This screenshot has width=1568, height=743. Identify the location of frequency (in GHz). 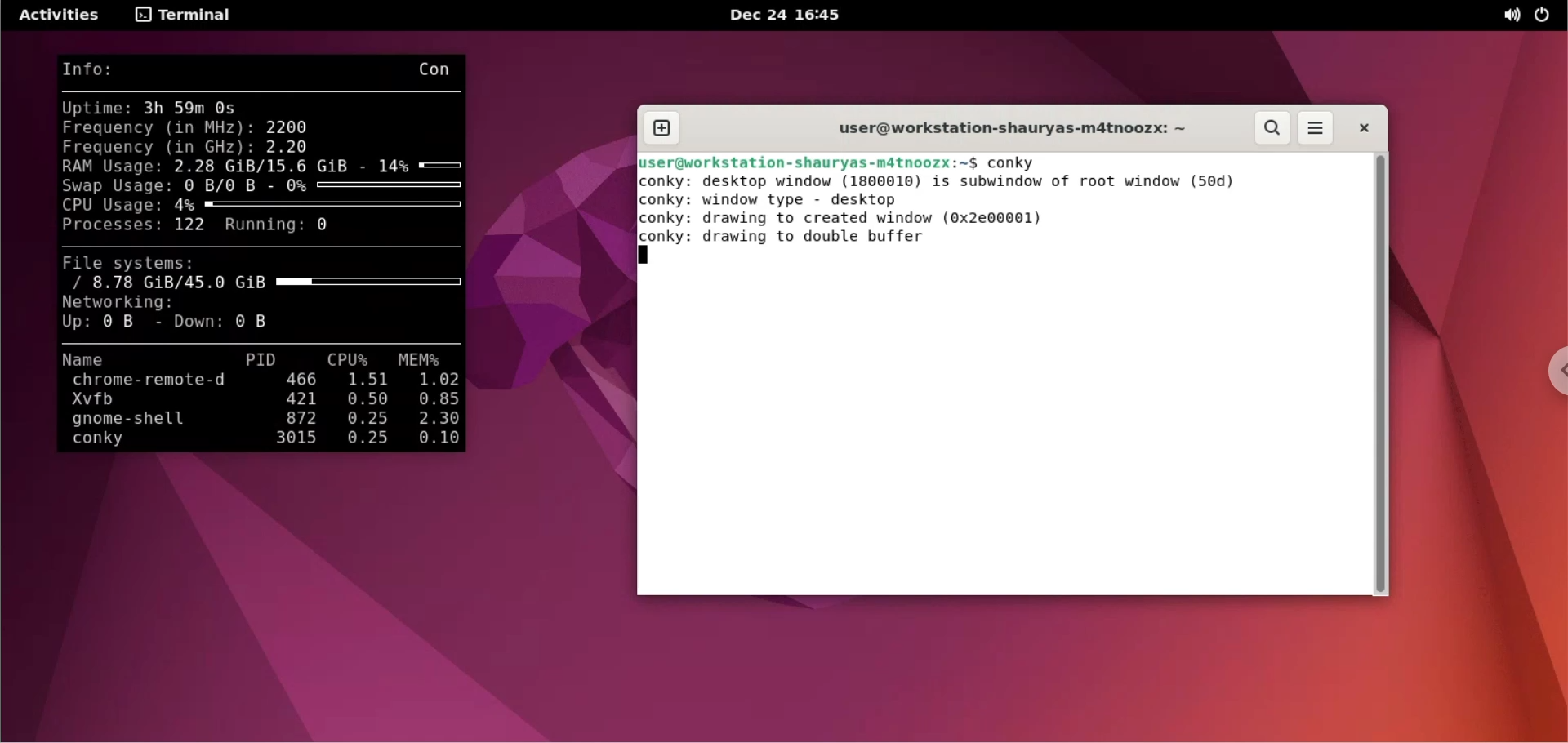
(158, 146).